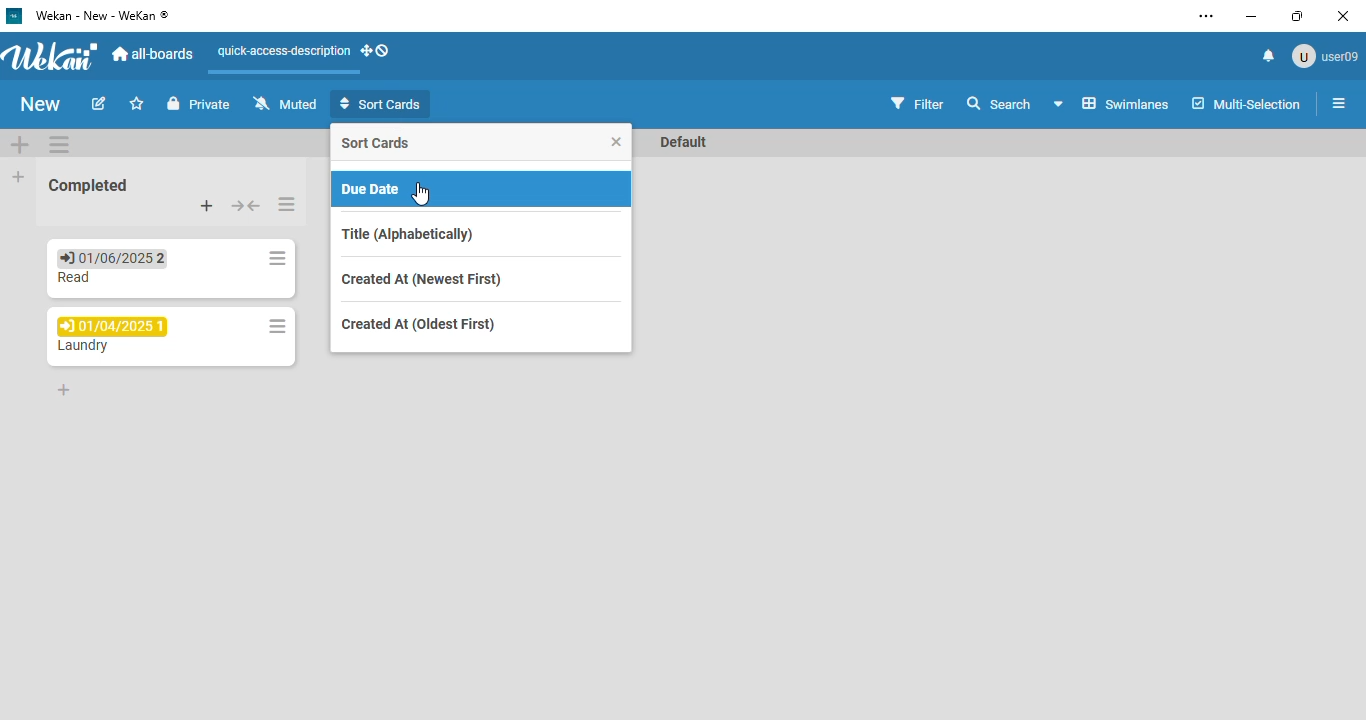 The width and height of the screenshot is (1366, 720). I want to click on search, so click(998, 102).